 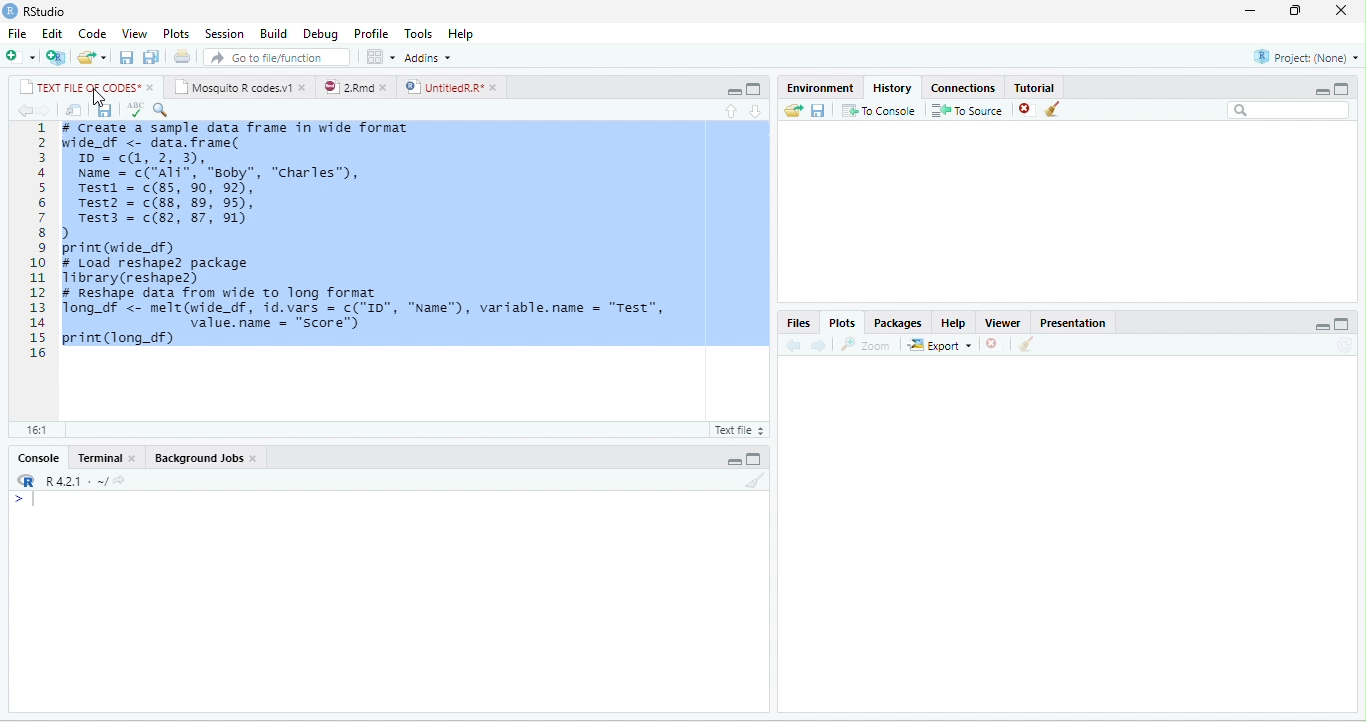 What do you see at coordinates (754, 459) in the screenshot?
I see `maximize` at bounding box center [754, 459].